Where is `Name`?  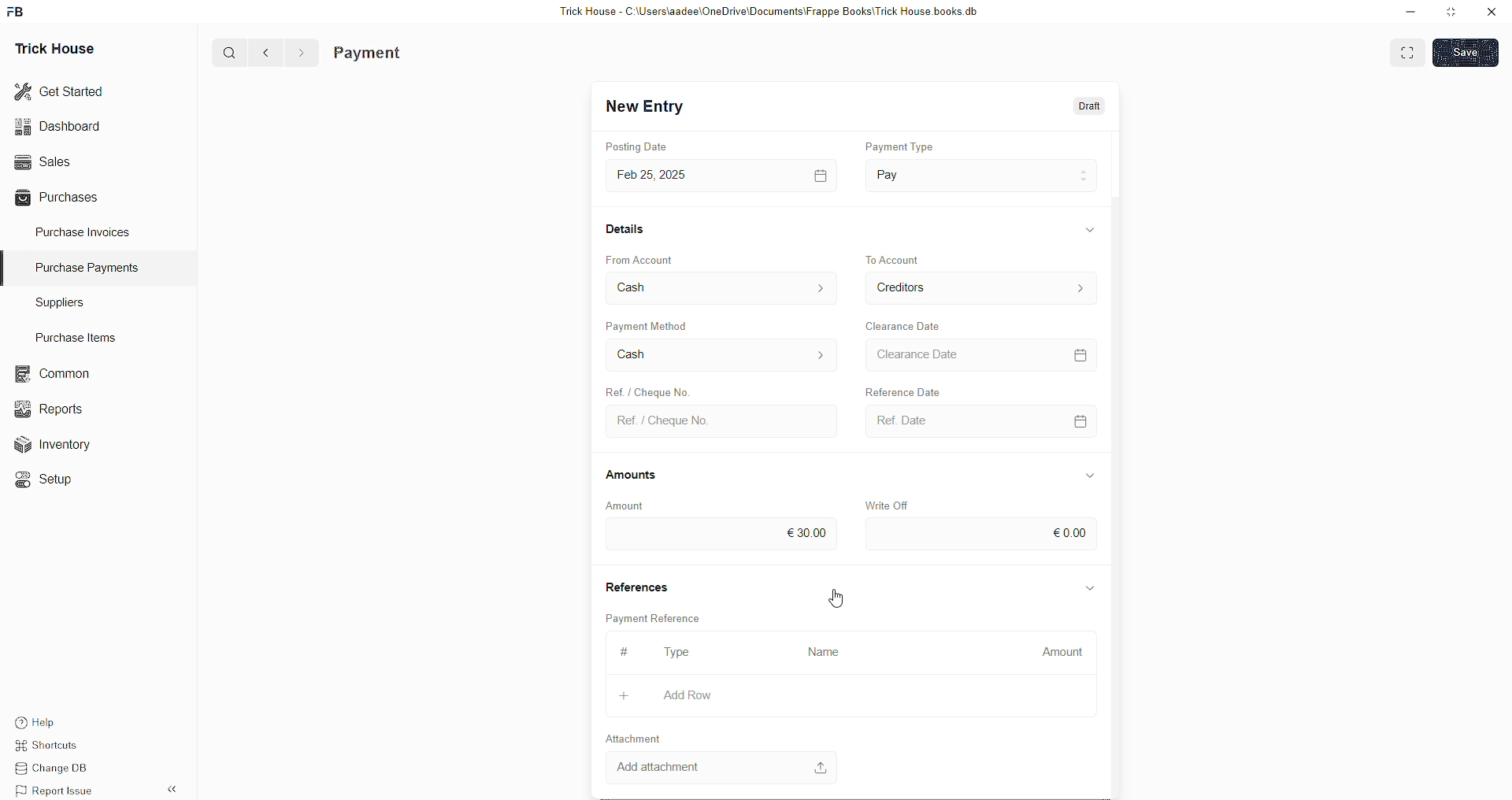 Name is located at coordinates (817, 650).